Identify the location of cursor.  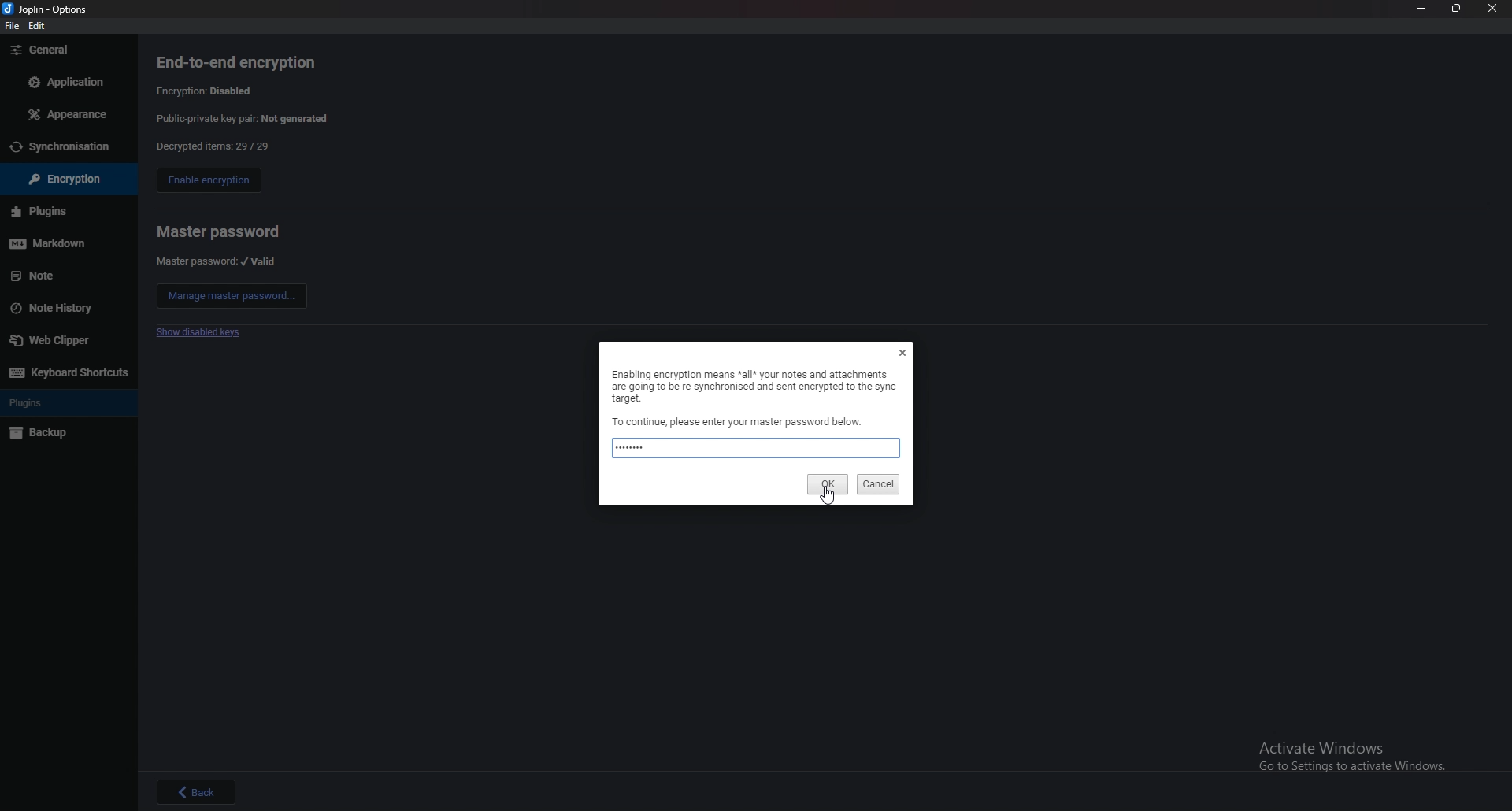
(825, 498).